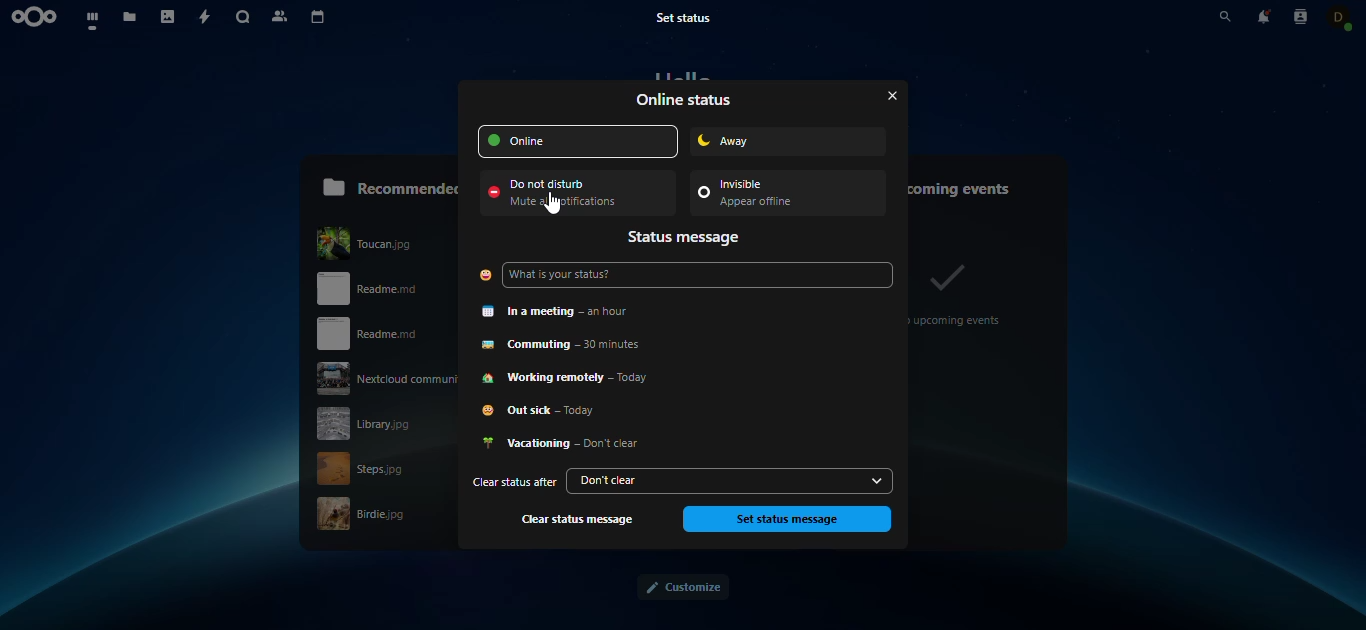  Describe the element at coordinates (575, 344) in the screenshot. I see `commuting` at that location.